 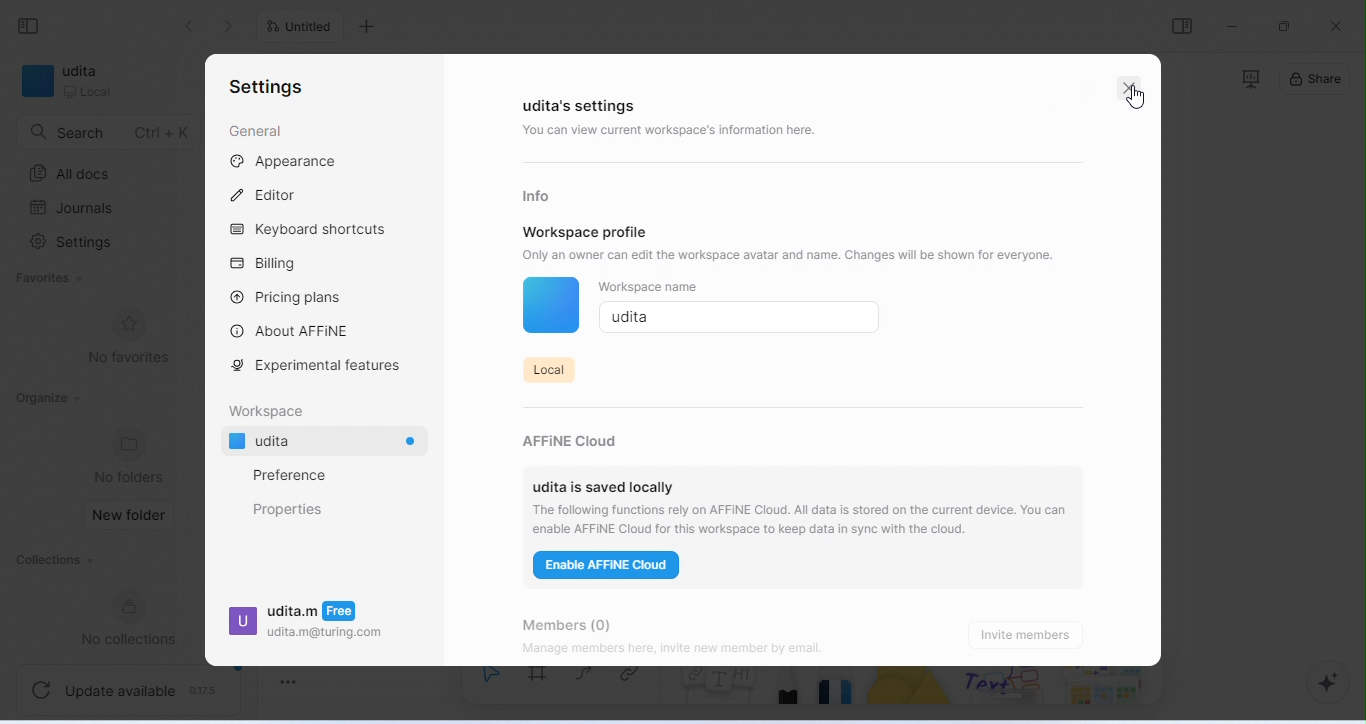 I want to click on new collections, so click(x=137, y=618).